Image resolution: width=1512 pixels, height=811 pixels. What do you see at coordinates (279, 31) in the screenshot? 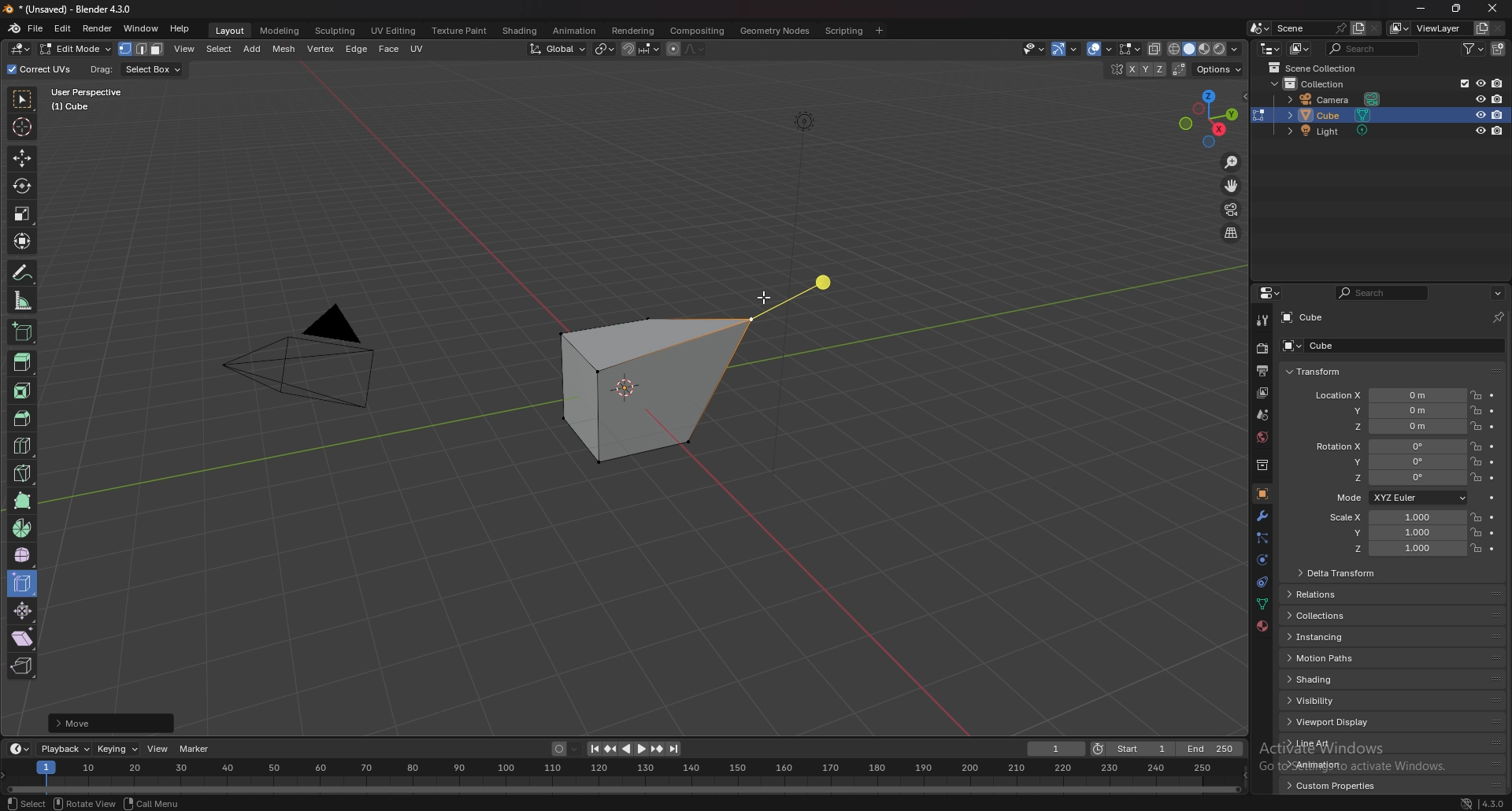
I see `modeling` at bounding box center [279, 31].